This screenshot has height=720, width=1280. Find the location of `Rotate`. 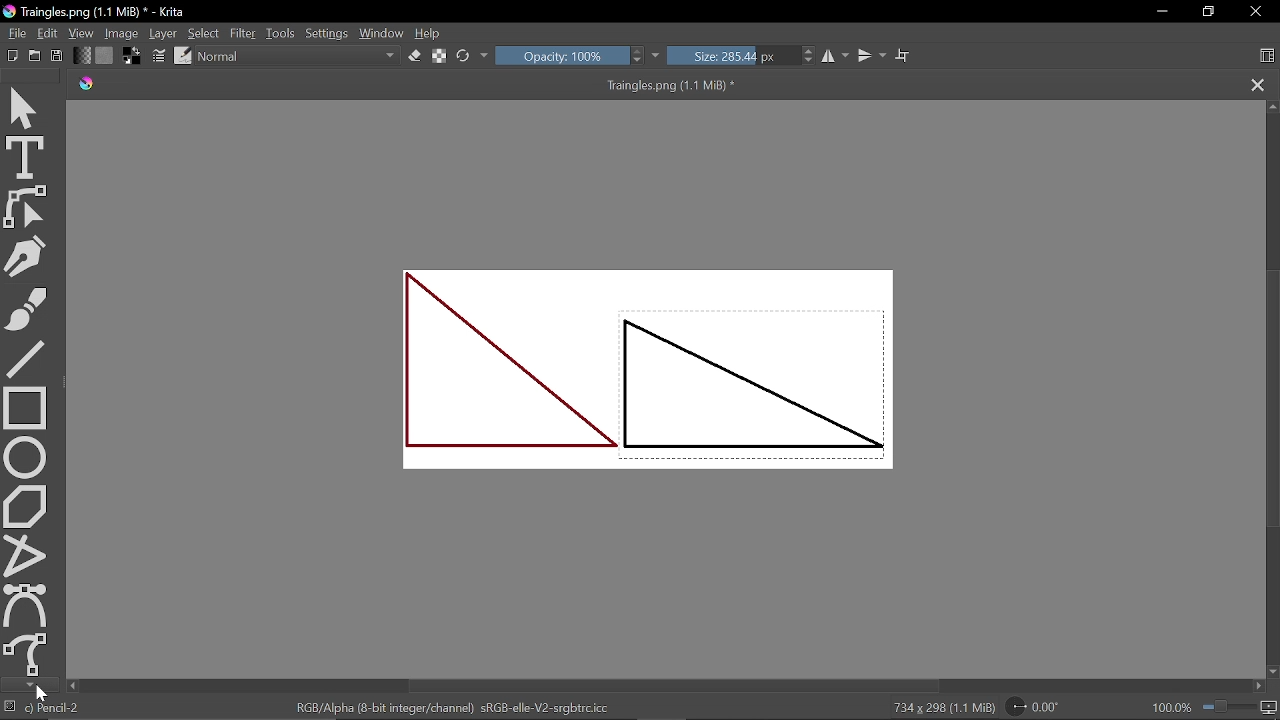

Rotate is located at coordinates (1042, 706).